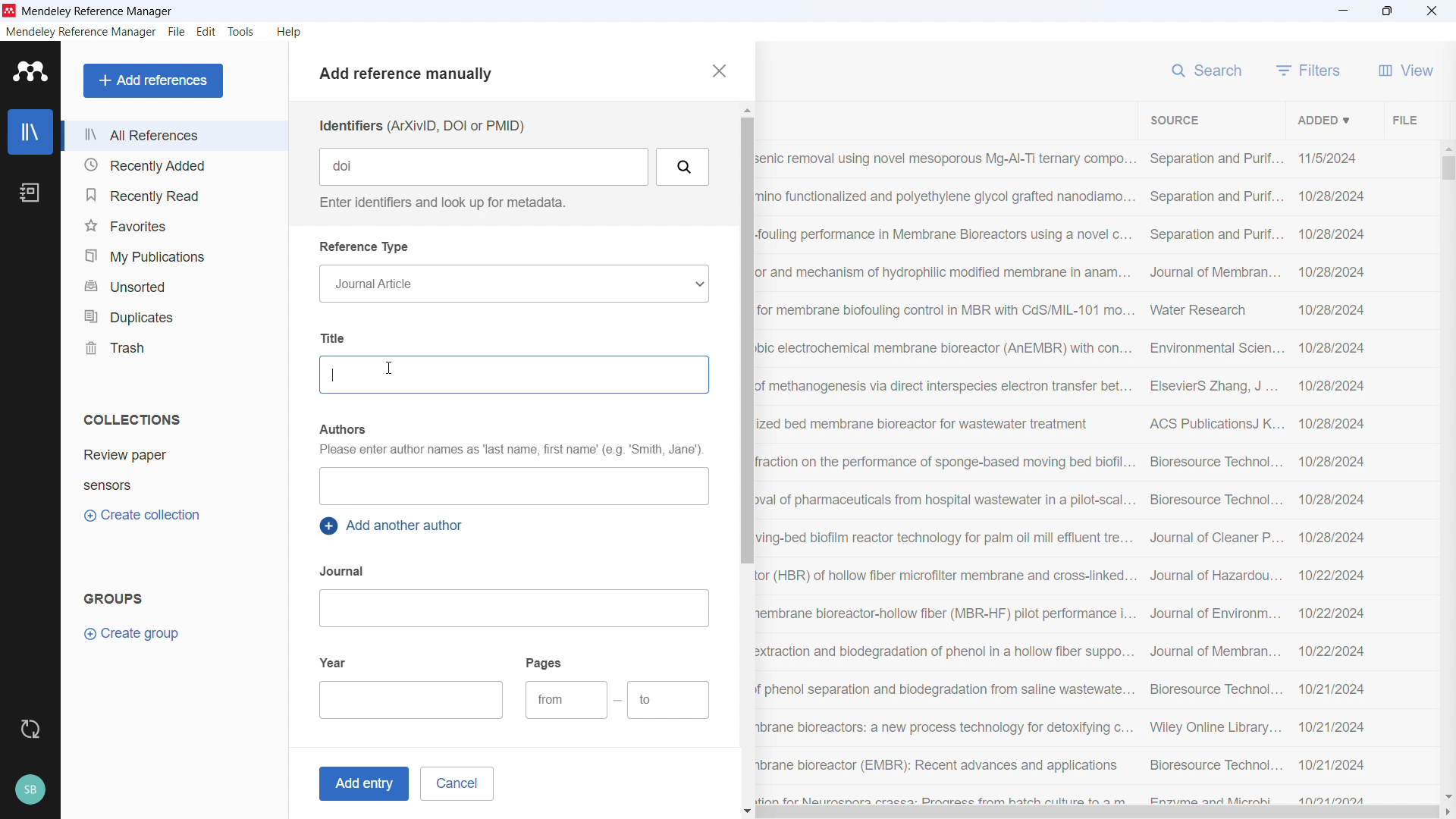  Describe the element at coordinates (171, 165) in the screenshot. I see `Recently added ` at that location.